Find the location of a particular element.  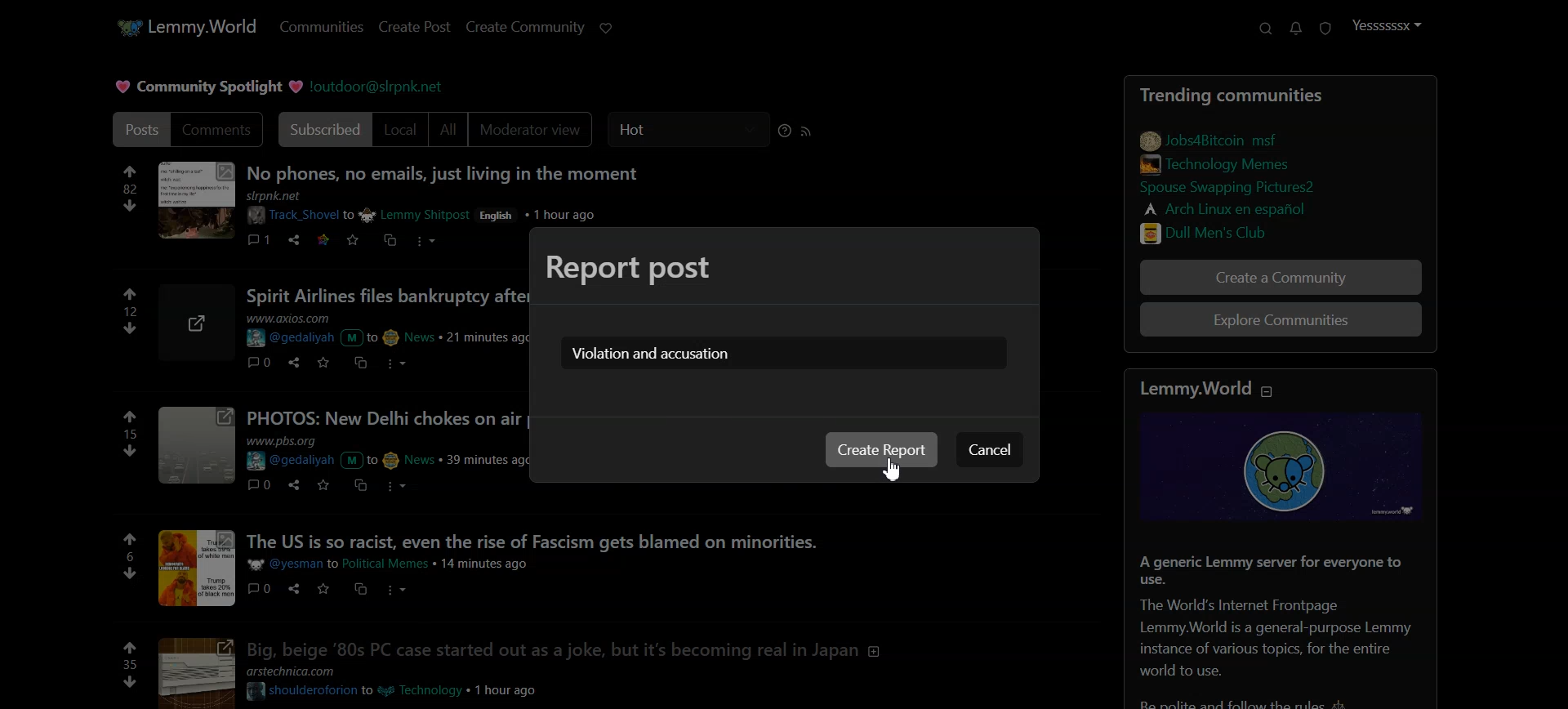

save is located at coordinates (320, 485).